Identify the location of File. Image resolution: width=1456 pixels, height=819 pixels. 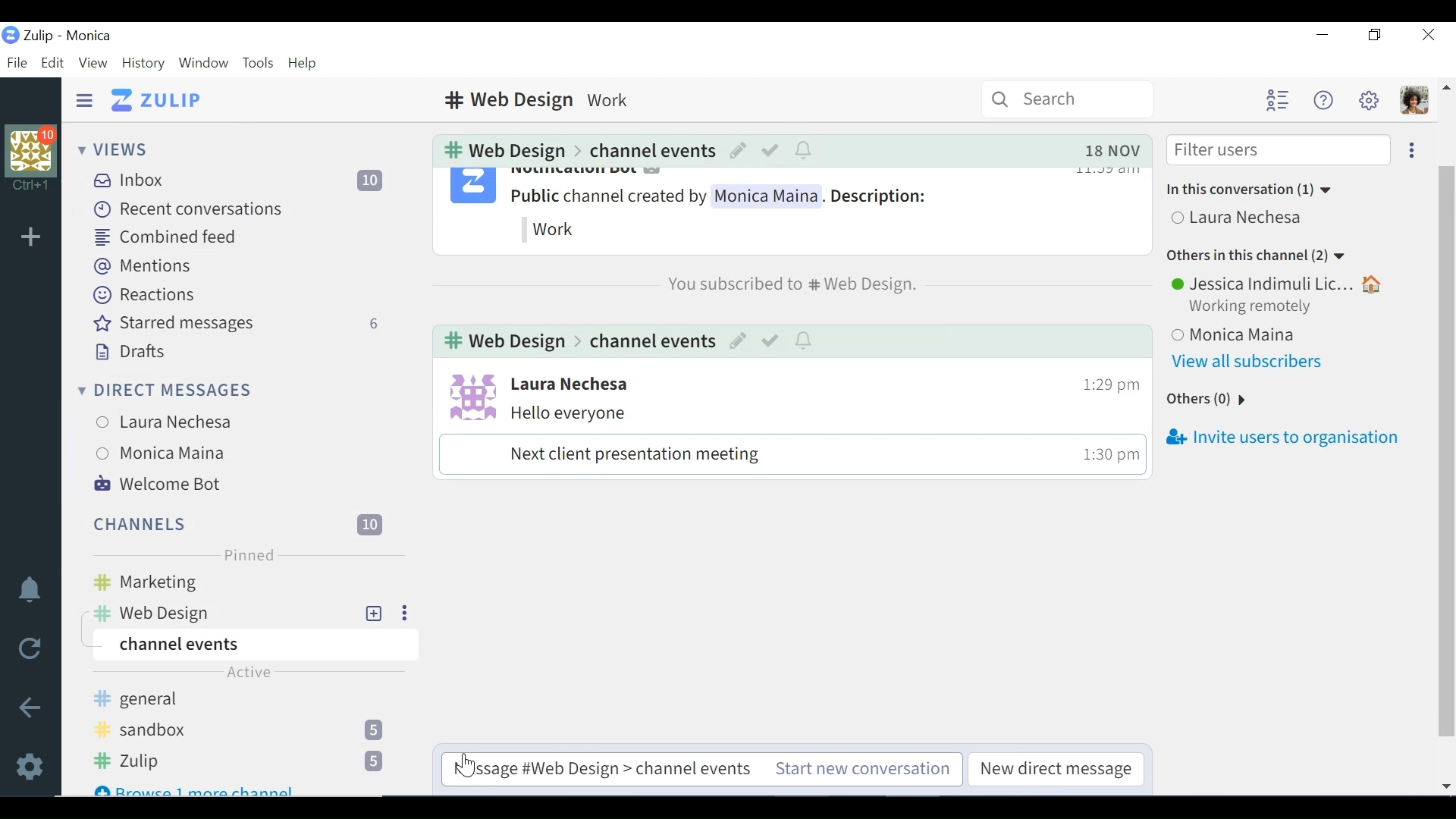
(16, 62).